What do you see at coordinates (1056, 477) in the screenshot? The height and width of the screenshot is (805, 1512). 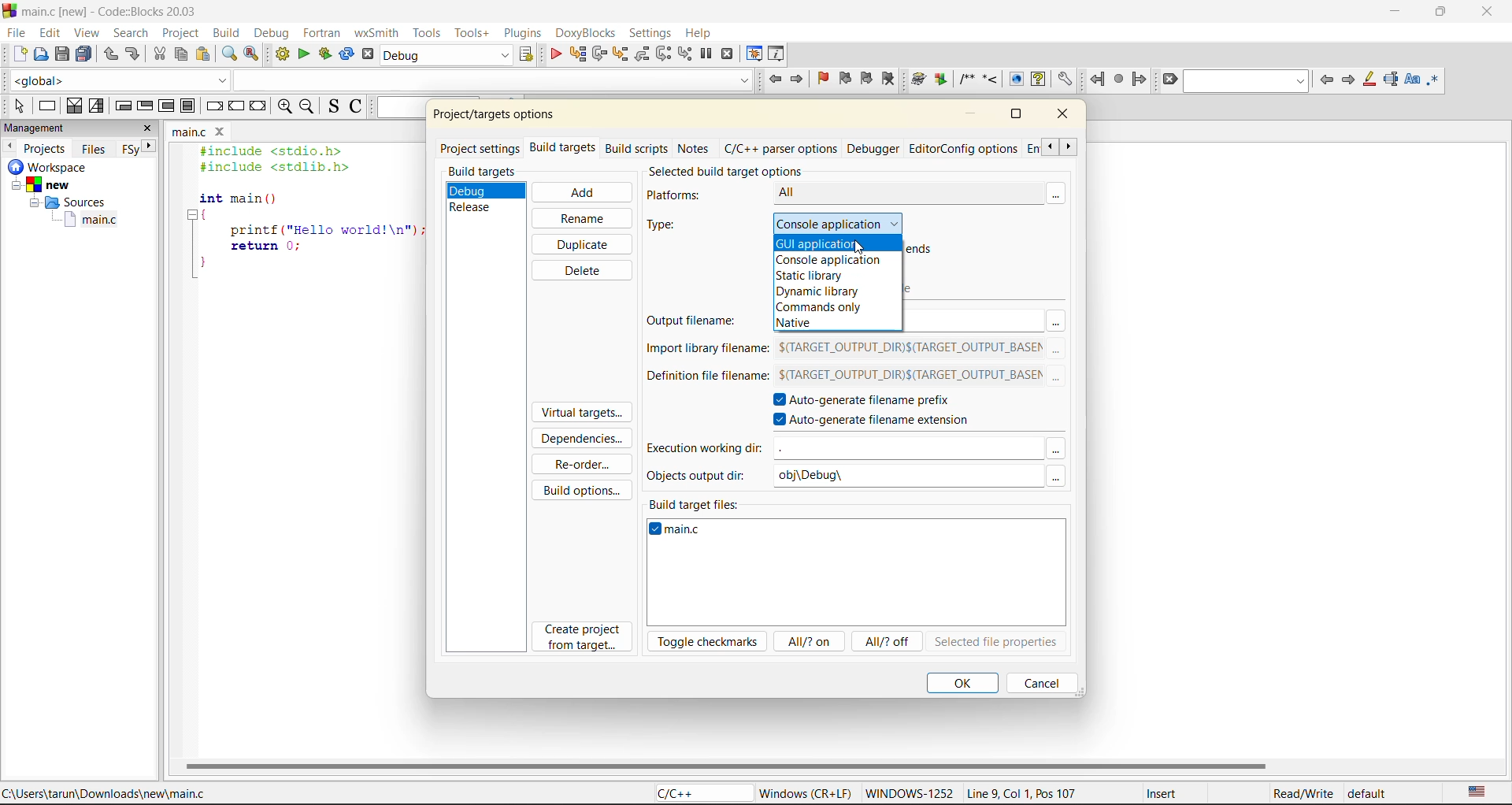 I see `` at bounding box center [1056, 477].